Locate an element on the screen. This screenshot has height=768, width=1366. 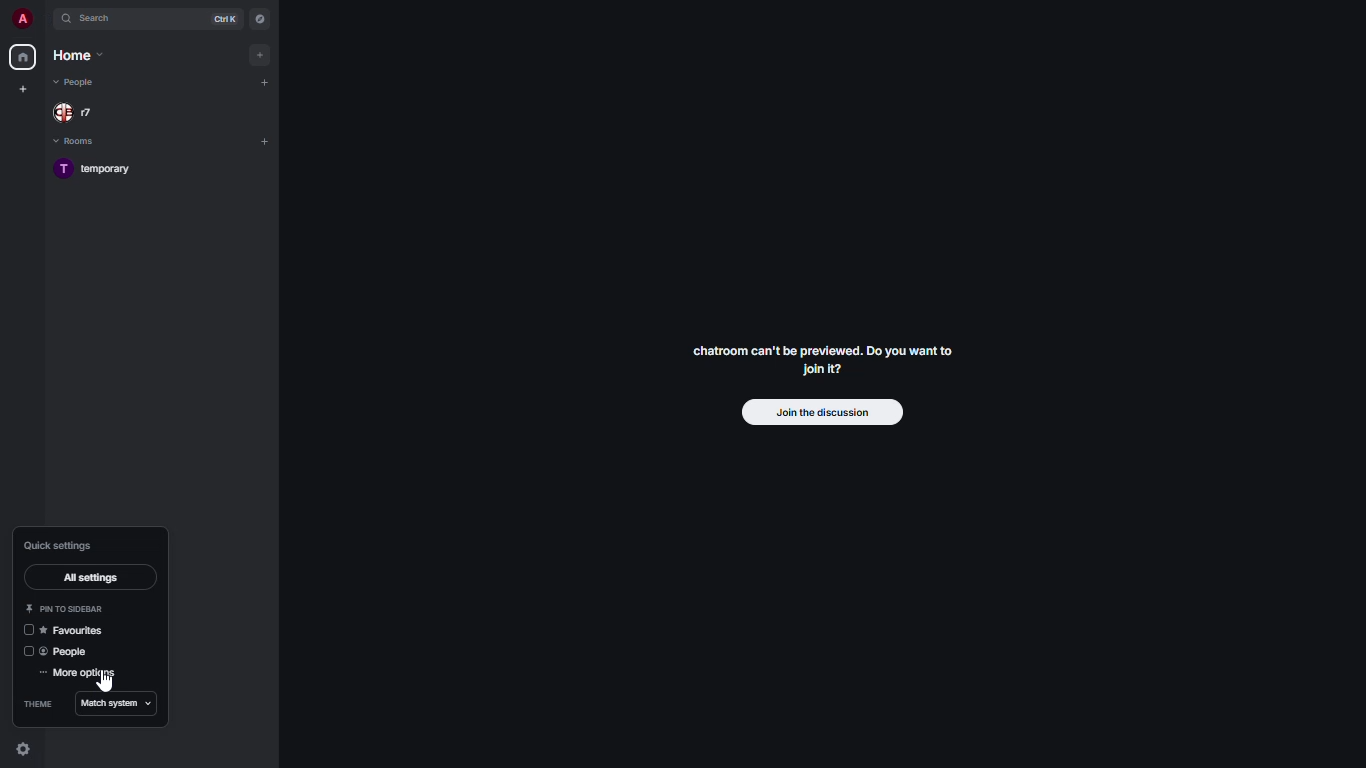
favorites is located at coordinates (75, 630).